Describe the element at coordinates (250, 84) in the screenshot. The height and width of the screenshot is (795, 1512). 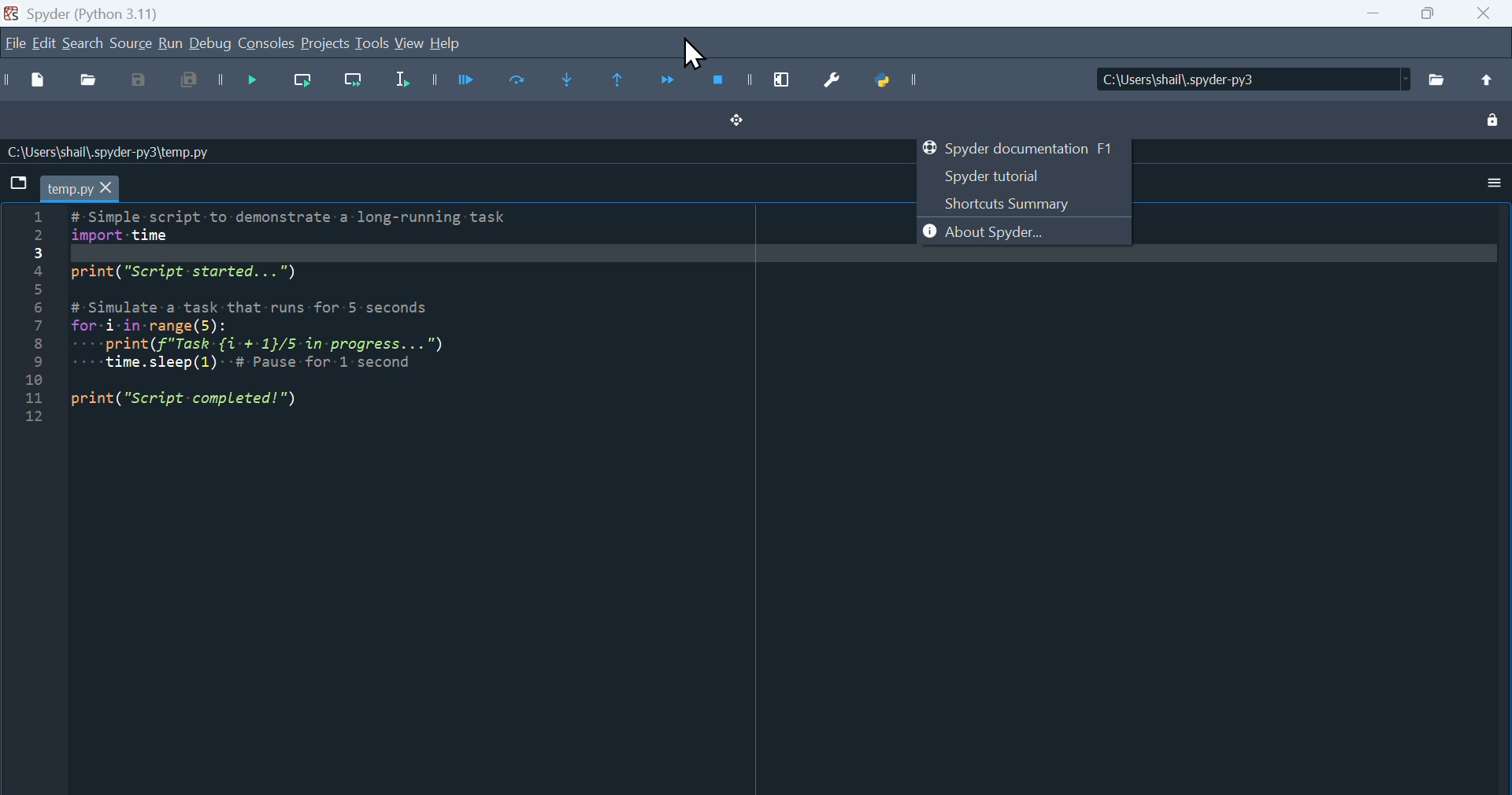
I see `Debug file` at that location.